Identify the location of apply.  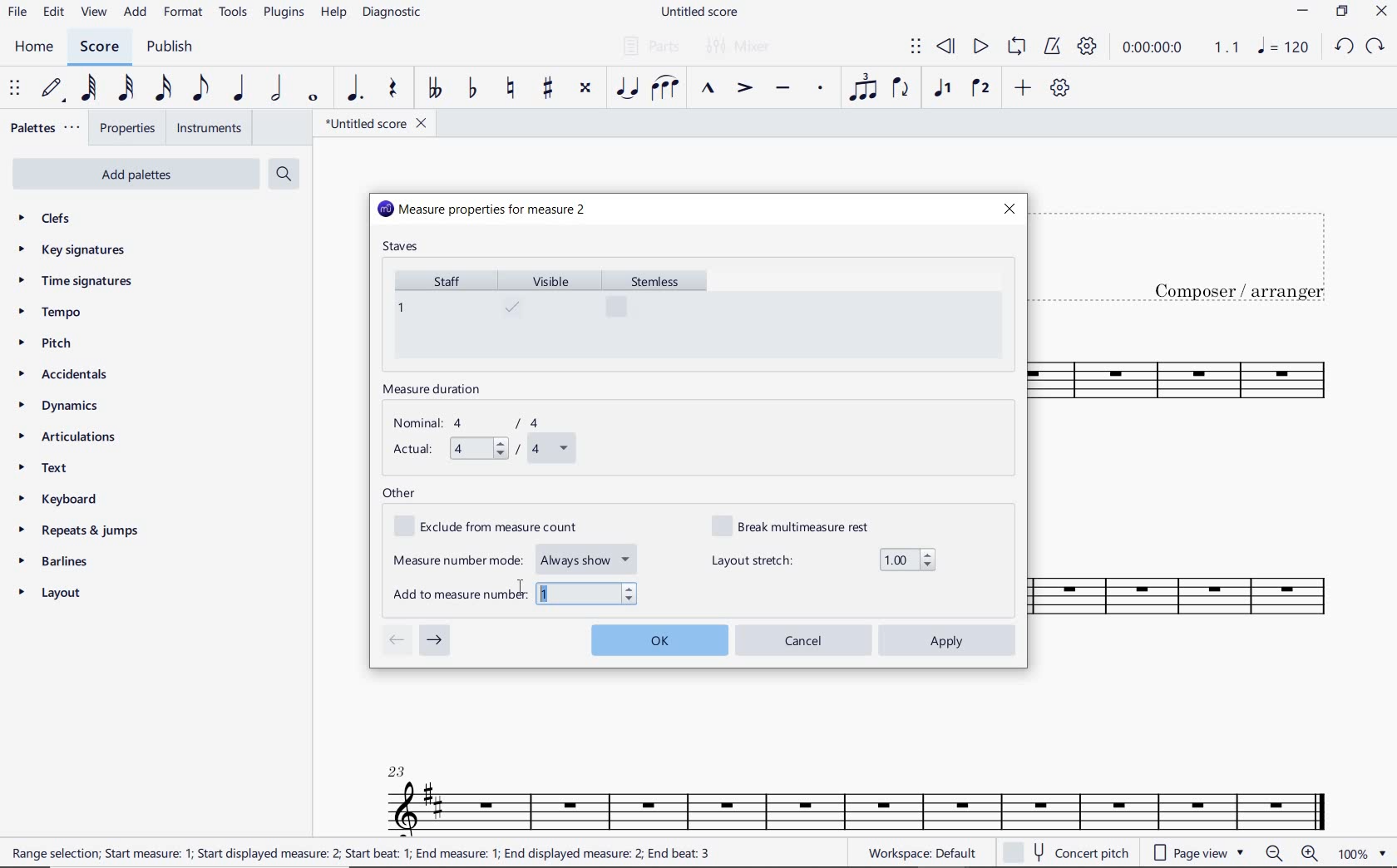
(949, 640).